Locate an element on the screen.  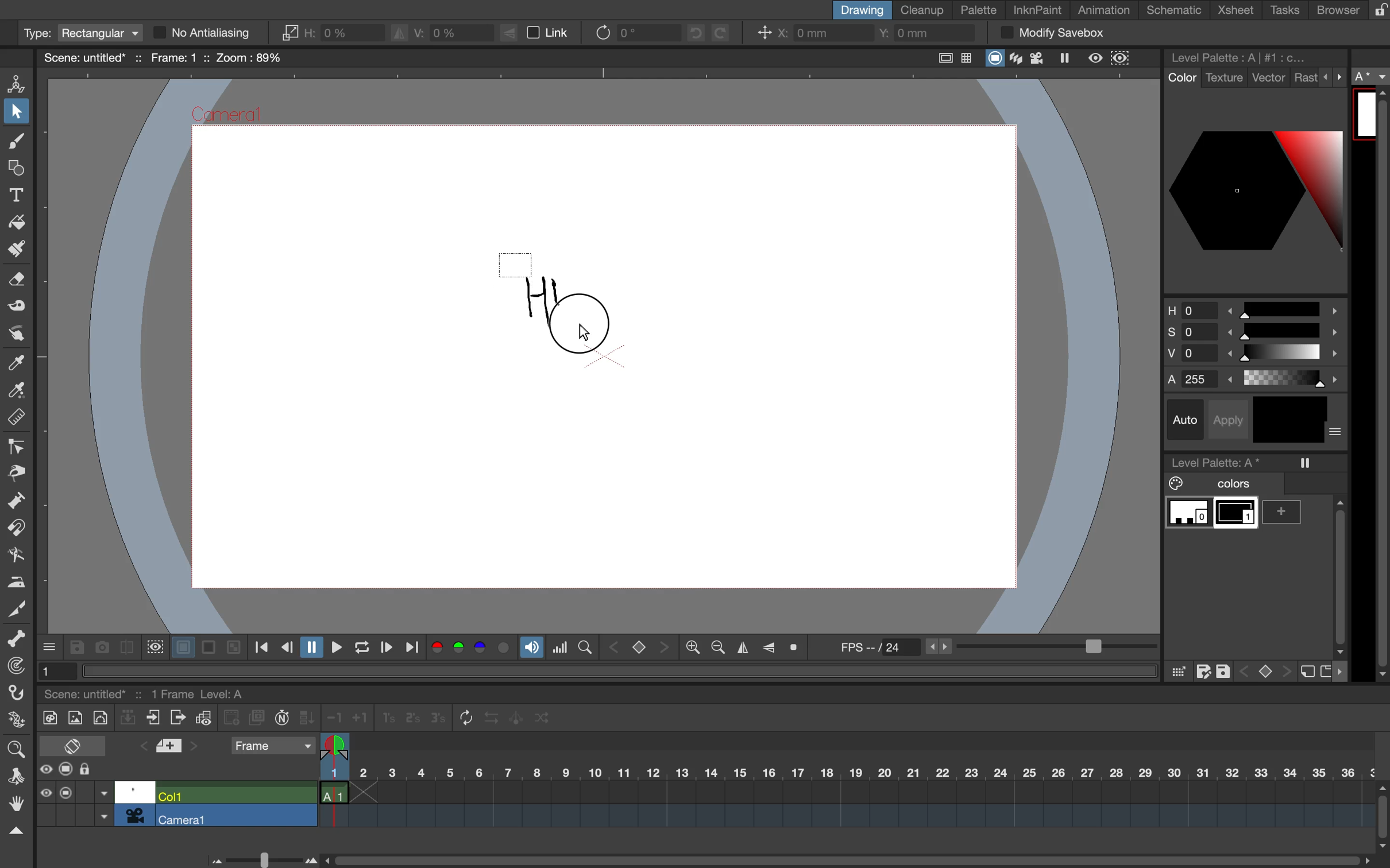
define sub camera is located at coordinates (153, 646).